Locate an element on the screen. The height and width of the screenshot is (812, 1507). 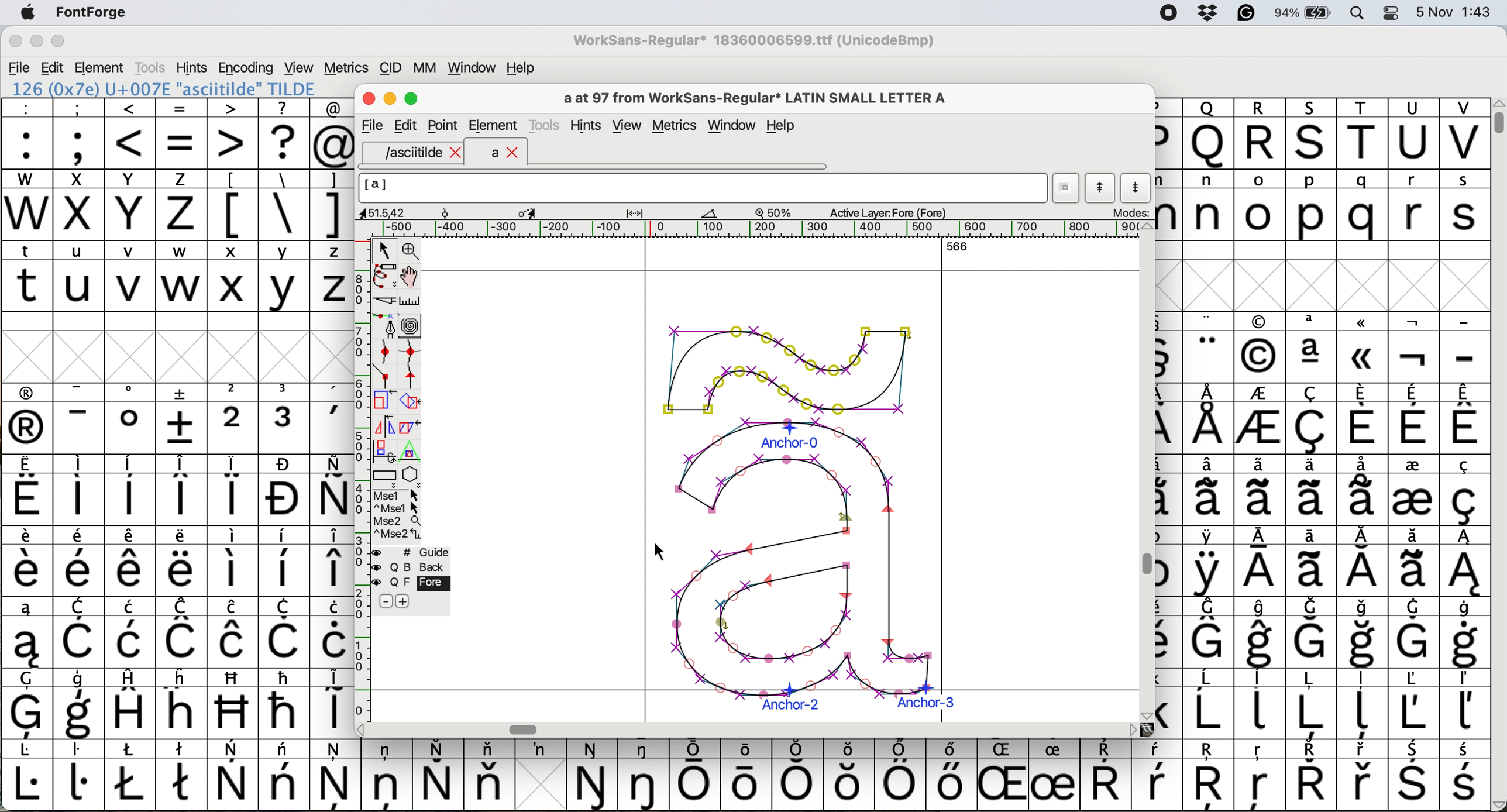
symbol is located at coordinates (1365, 705).